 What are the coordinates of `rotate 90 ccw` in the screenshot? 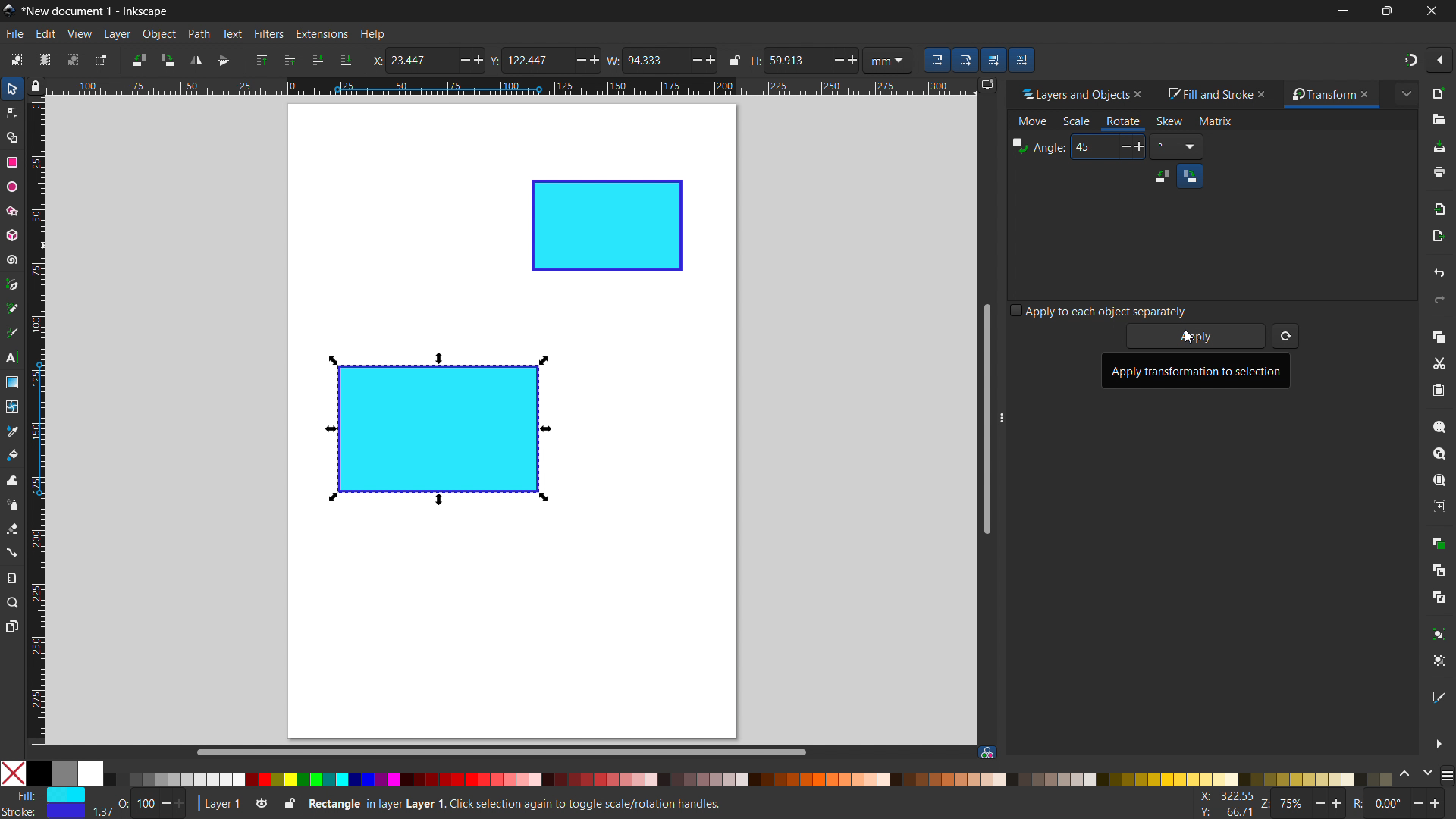 It's located at (137, 59).